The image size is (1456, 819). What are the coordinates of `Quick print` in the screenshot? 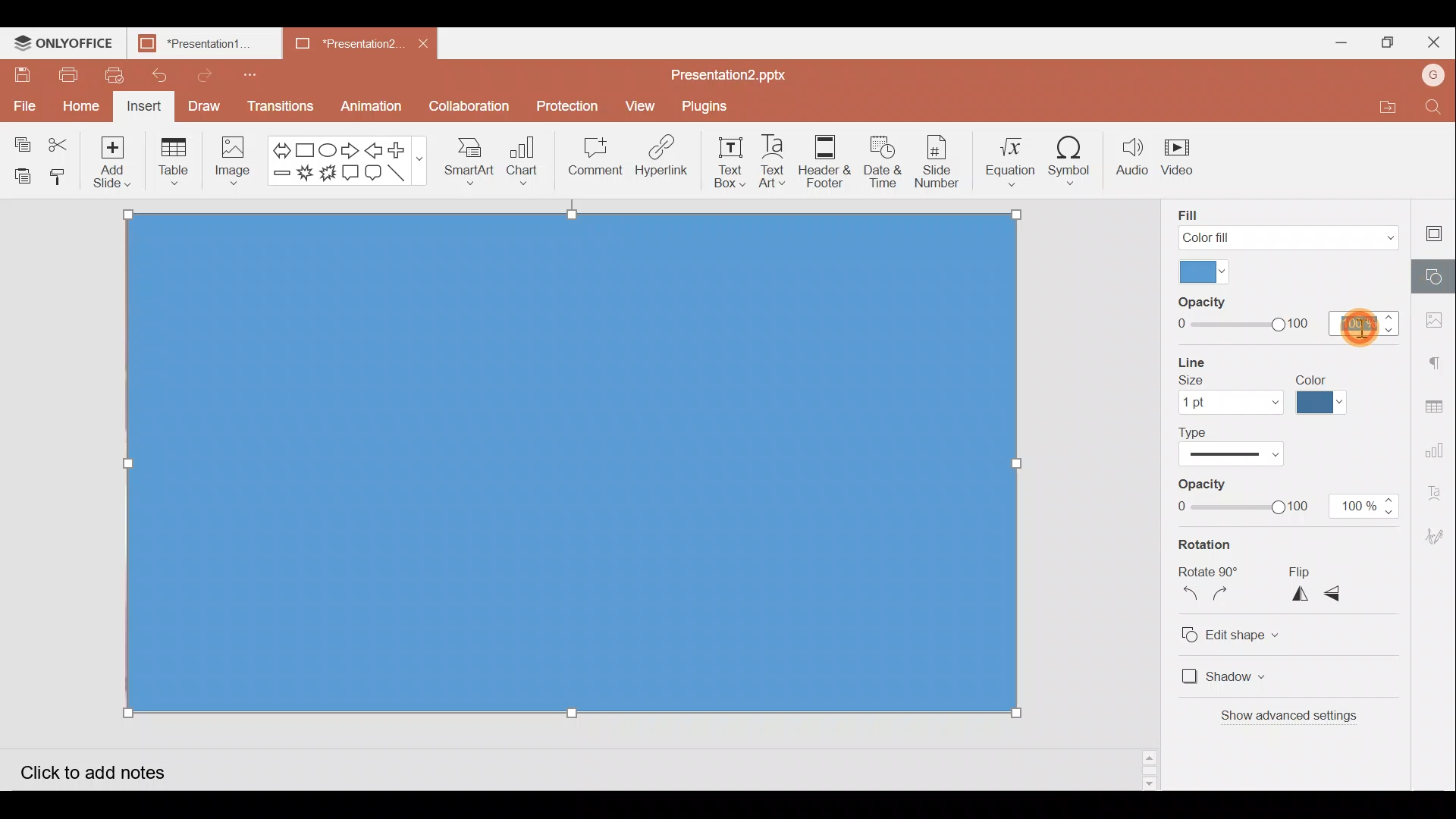 It's located at (108, 76).